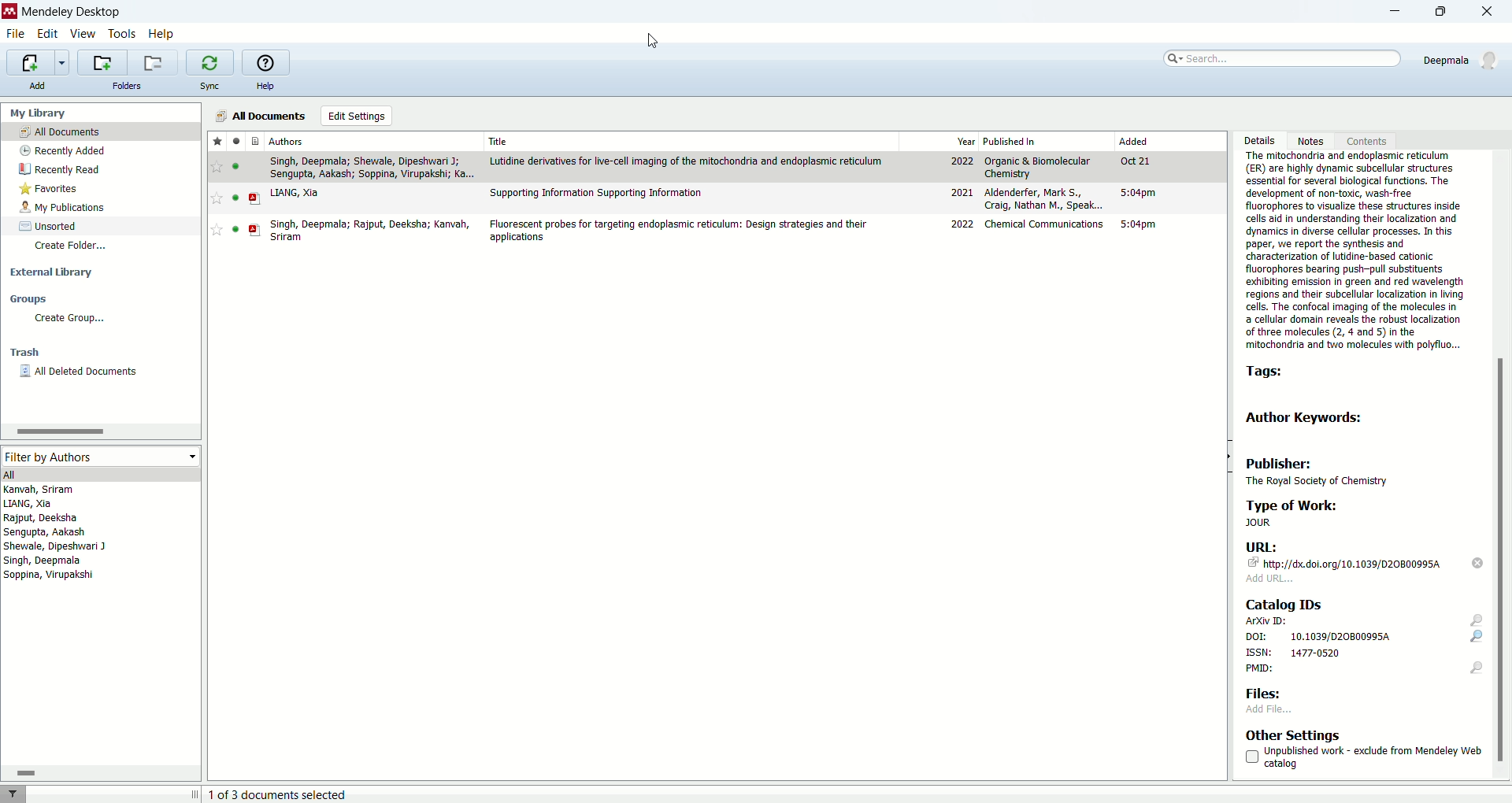 This screenshot has width=1512, height=803. I want to click on PDF, so click(255, 230).